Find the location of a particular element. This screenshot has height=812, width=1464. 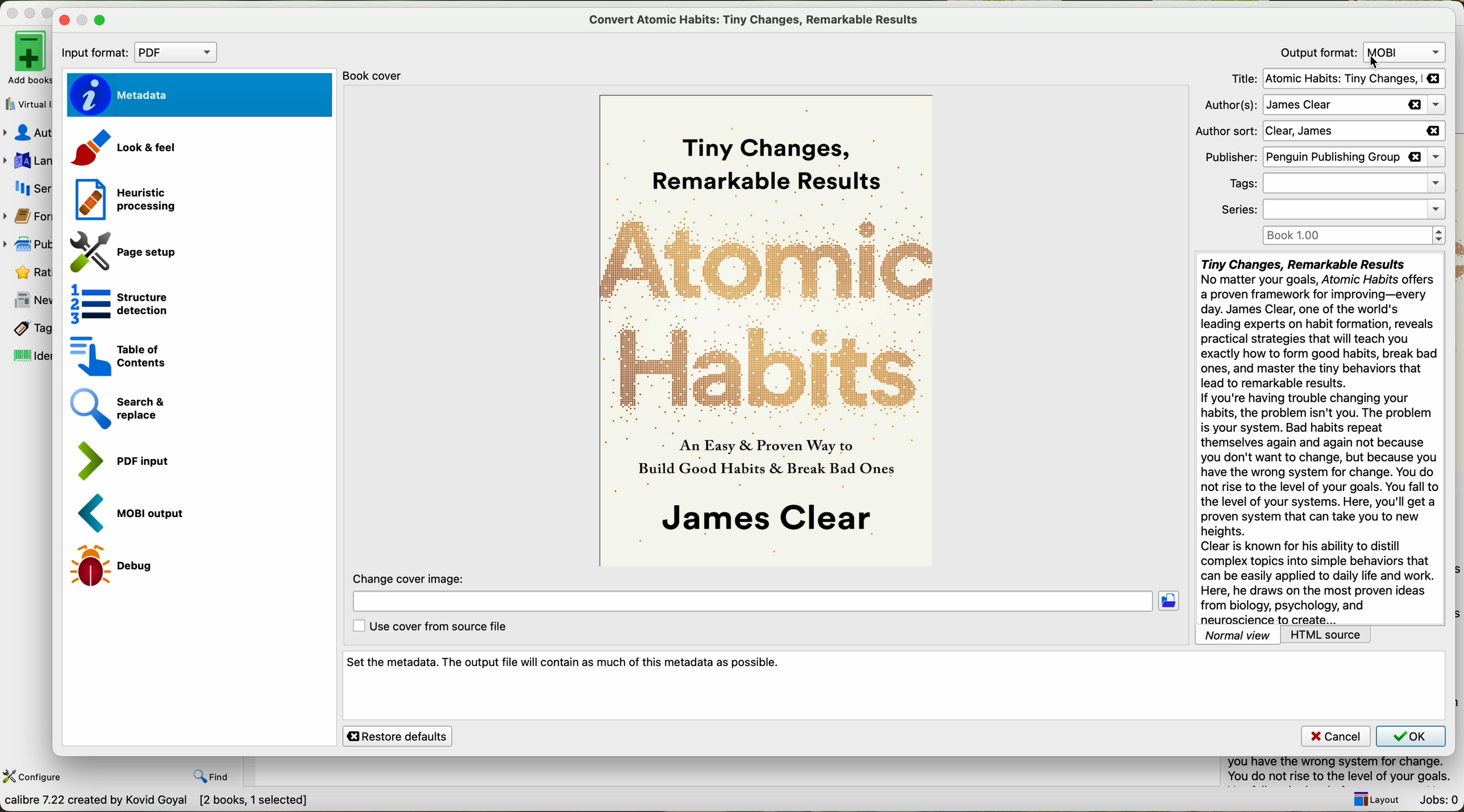

Jobs: 0 is located at coordinates (1440, 801).